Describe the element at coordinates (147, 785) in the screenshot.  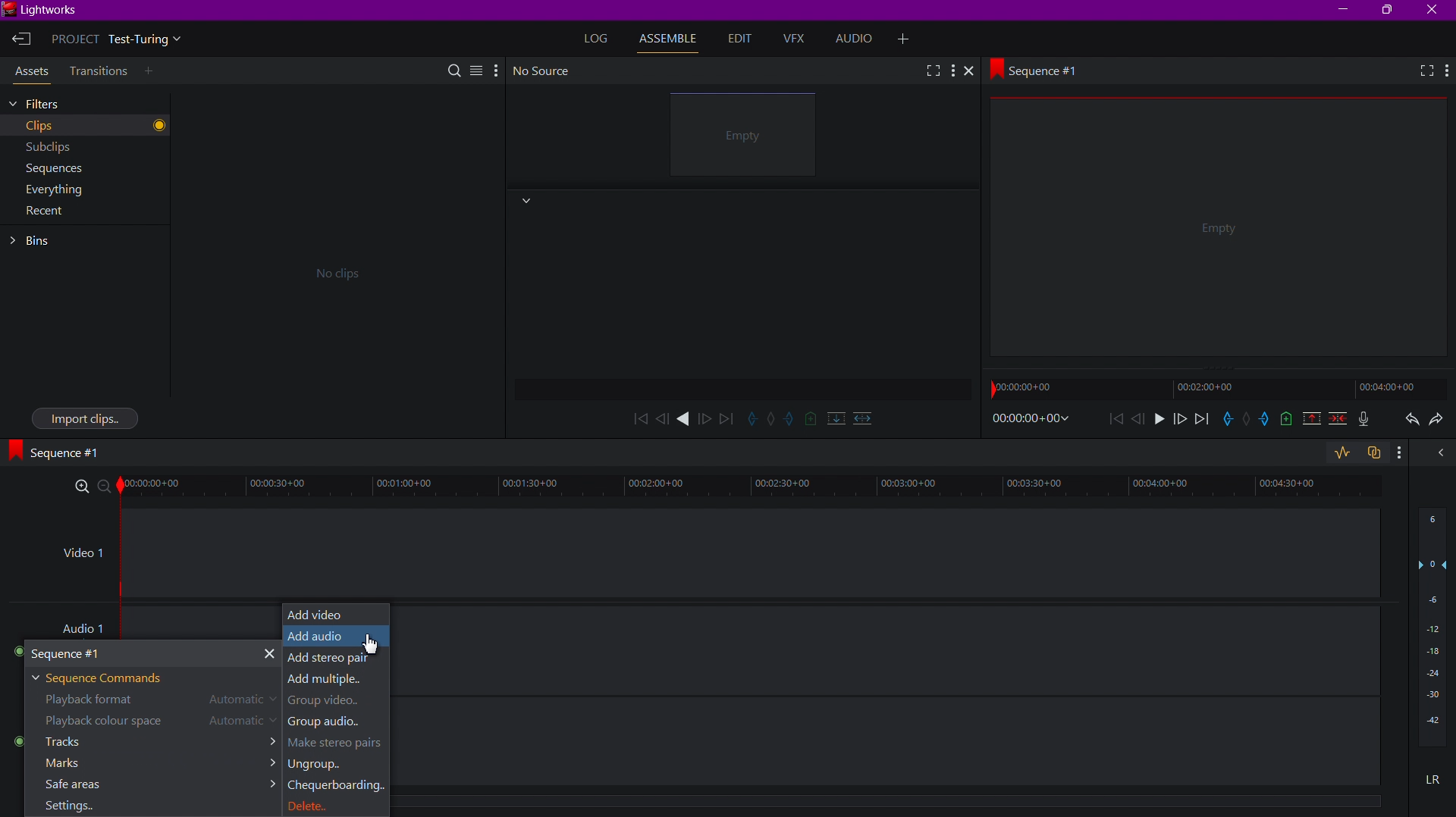
I see `Safe areas` at that location.